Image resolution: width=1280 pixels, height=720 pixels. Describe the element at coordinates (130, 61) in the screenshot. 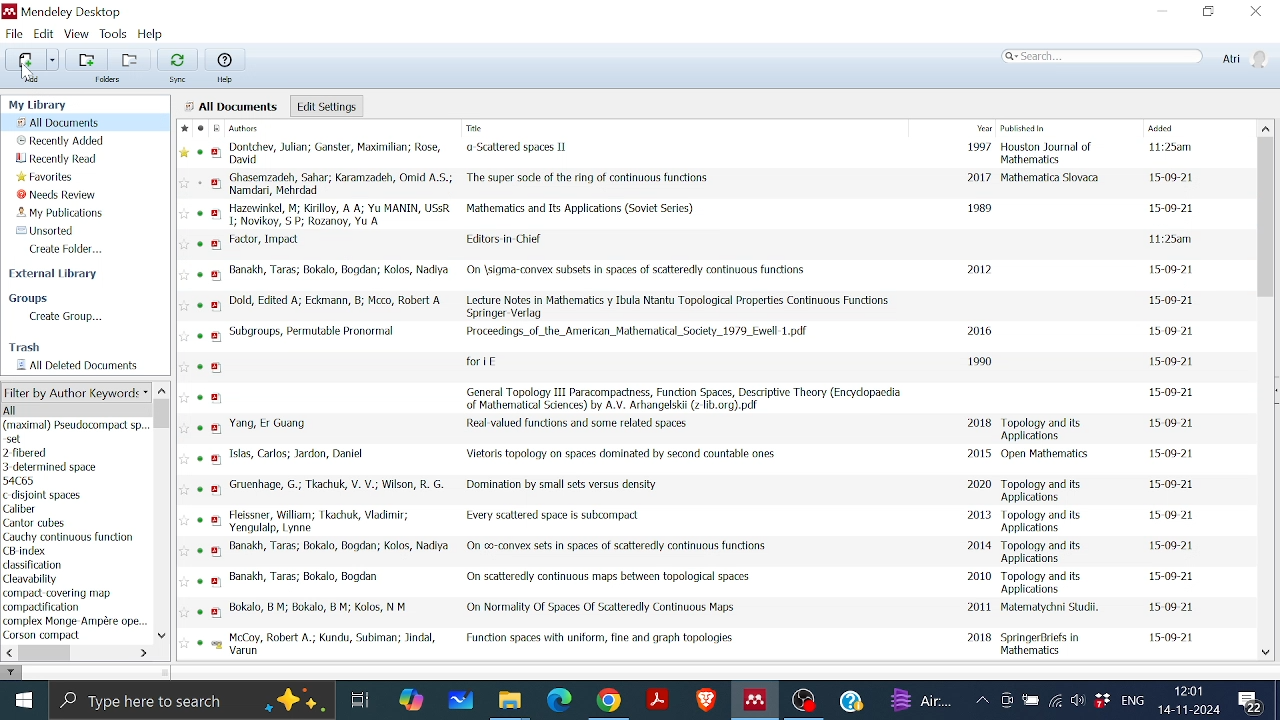

I see `Remove folder` at that location.